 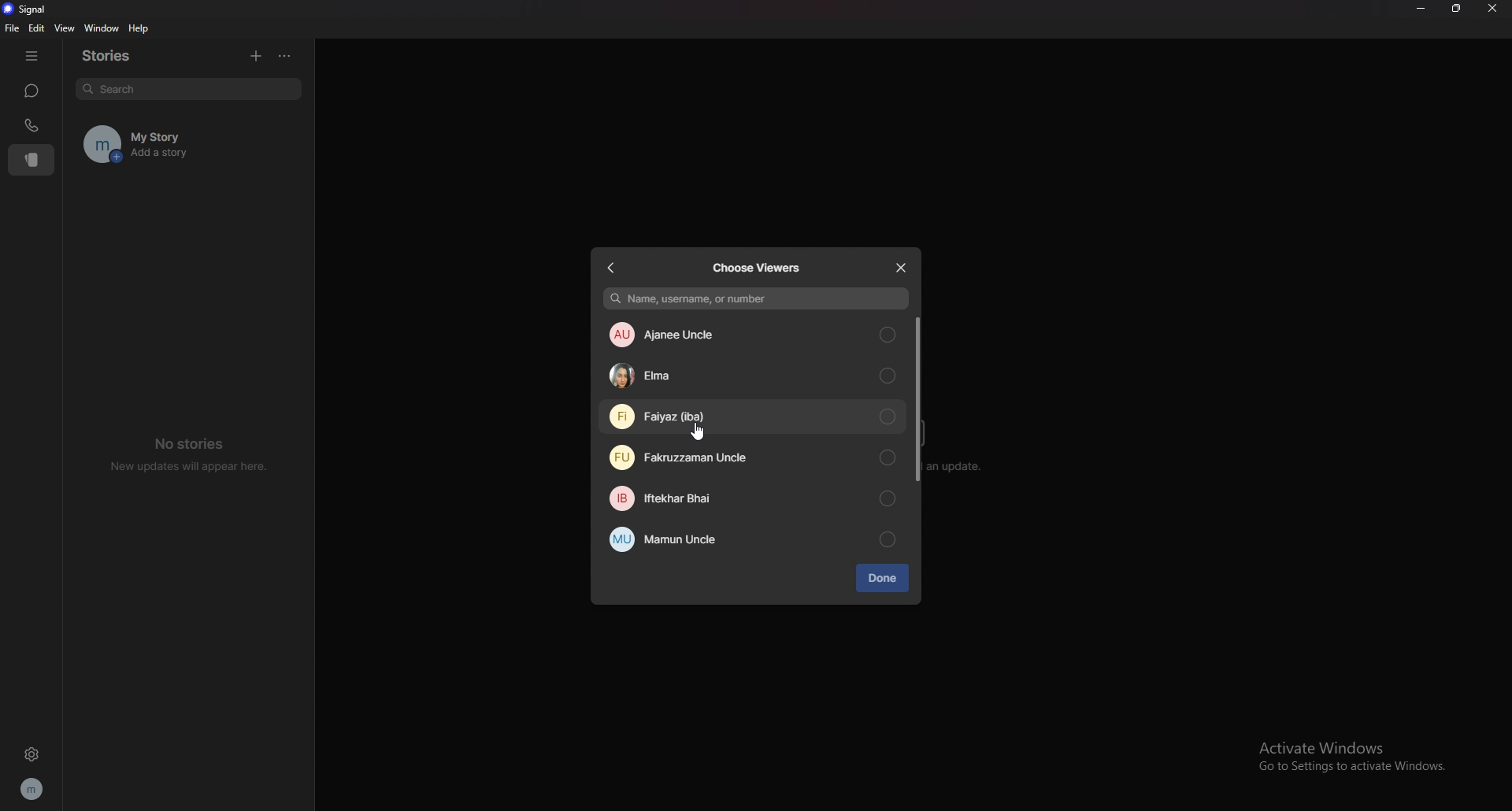 I want to click on my story, so click(x=188, y=145).